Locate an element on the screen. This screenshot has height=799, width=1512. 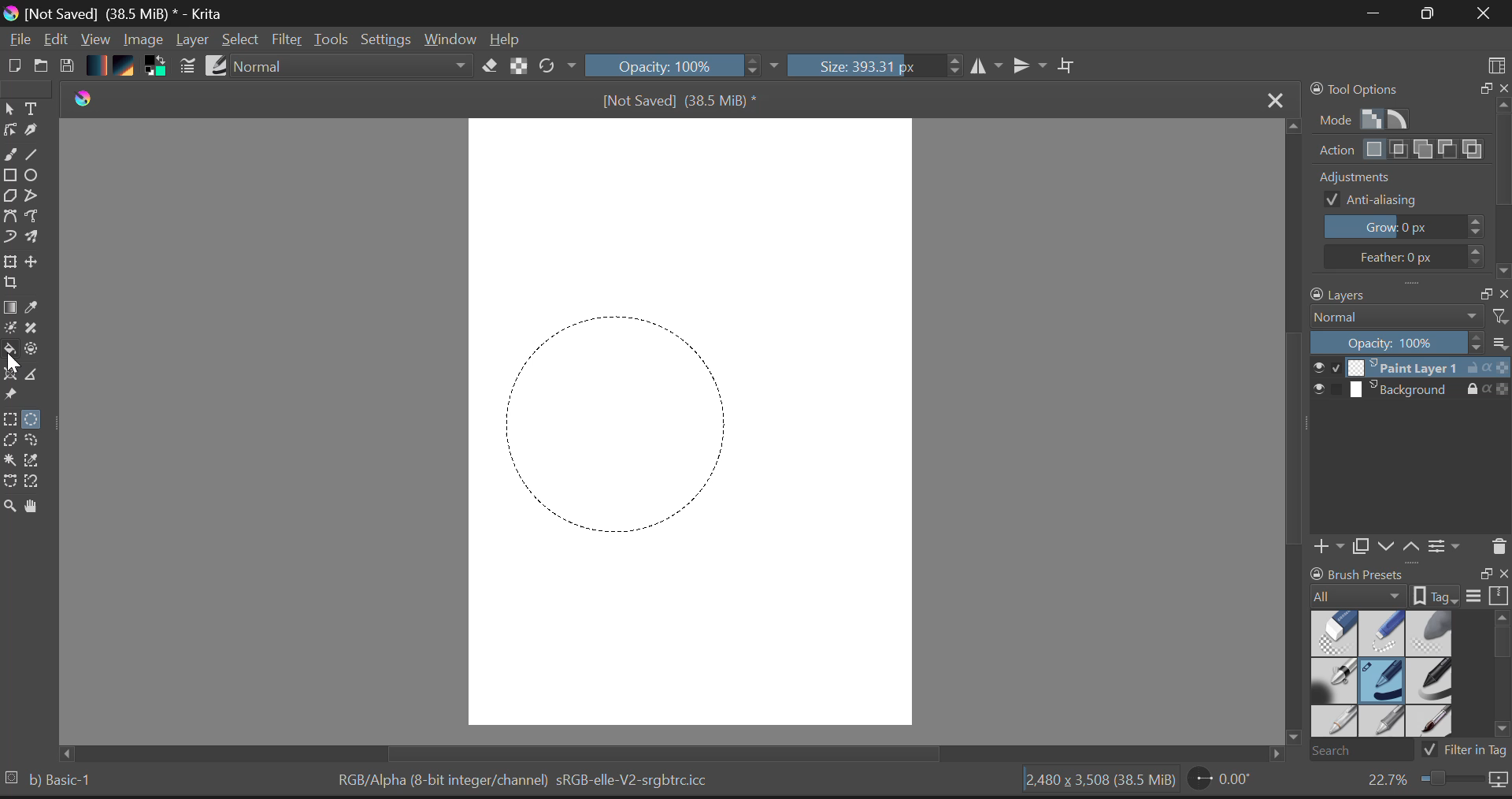
Rectangle is located at coordinates (13, 178).